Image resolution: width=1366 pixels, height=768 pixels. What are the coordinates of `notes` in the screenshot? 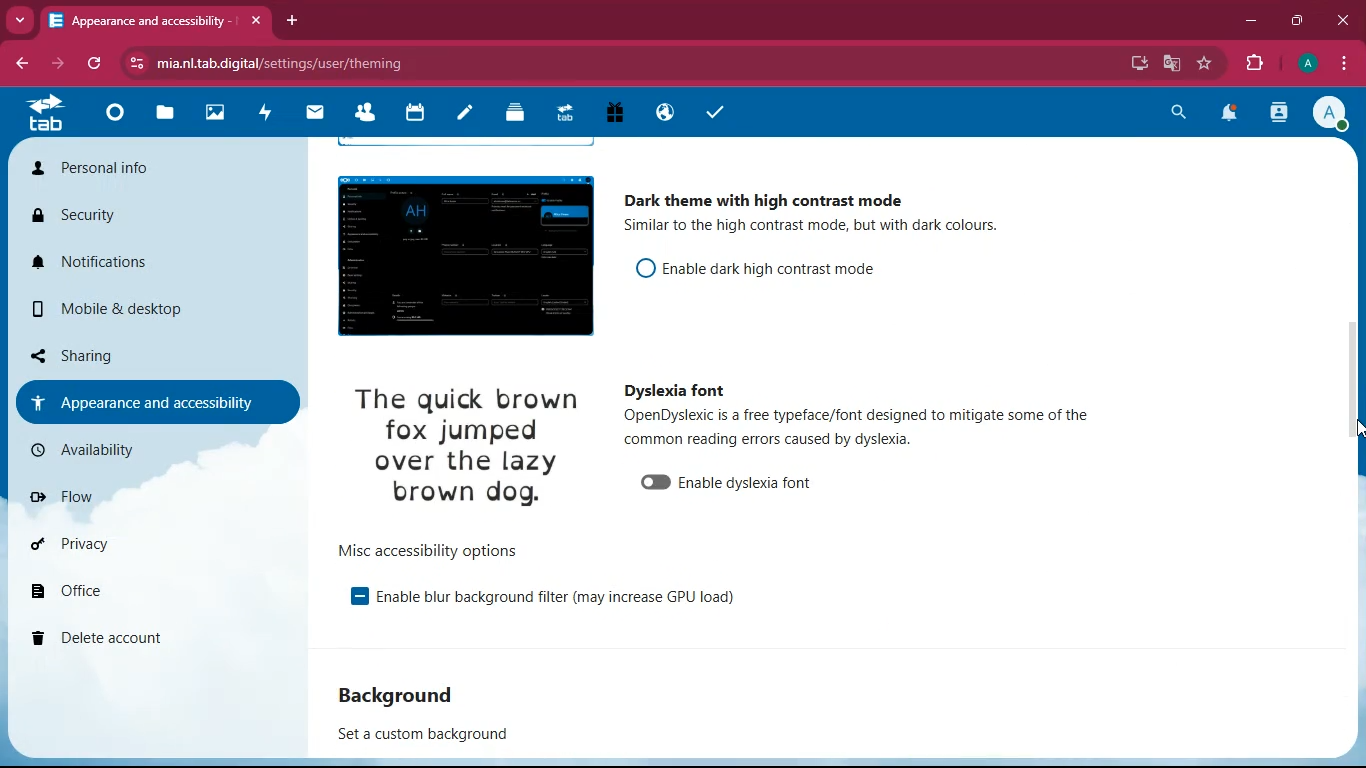 It's located at (470, 113).